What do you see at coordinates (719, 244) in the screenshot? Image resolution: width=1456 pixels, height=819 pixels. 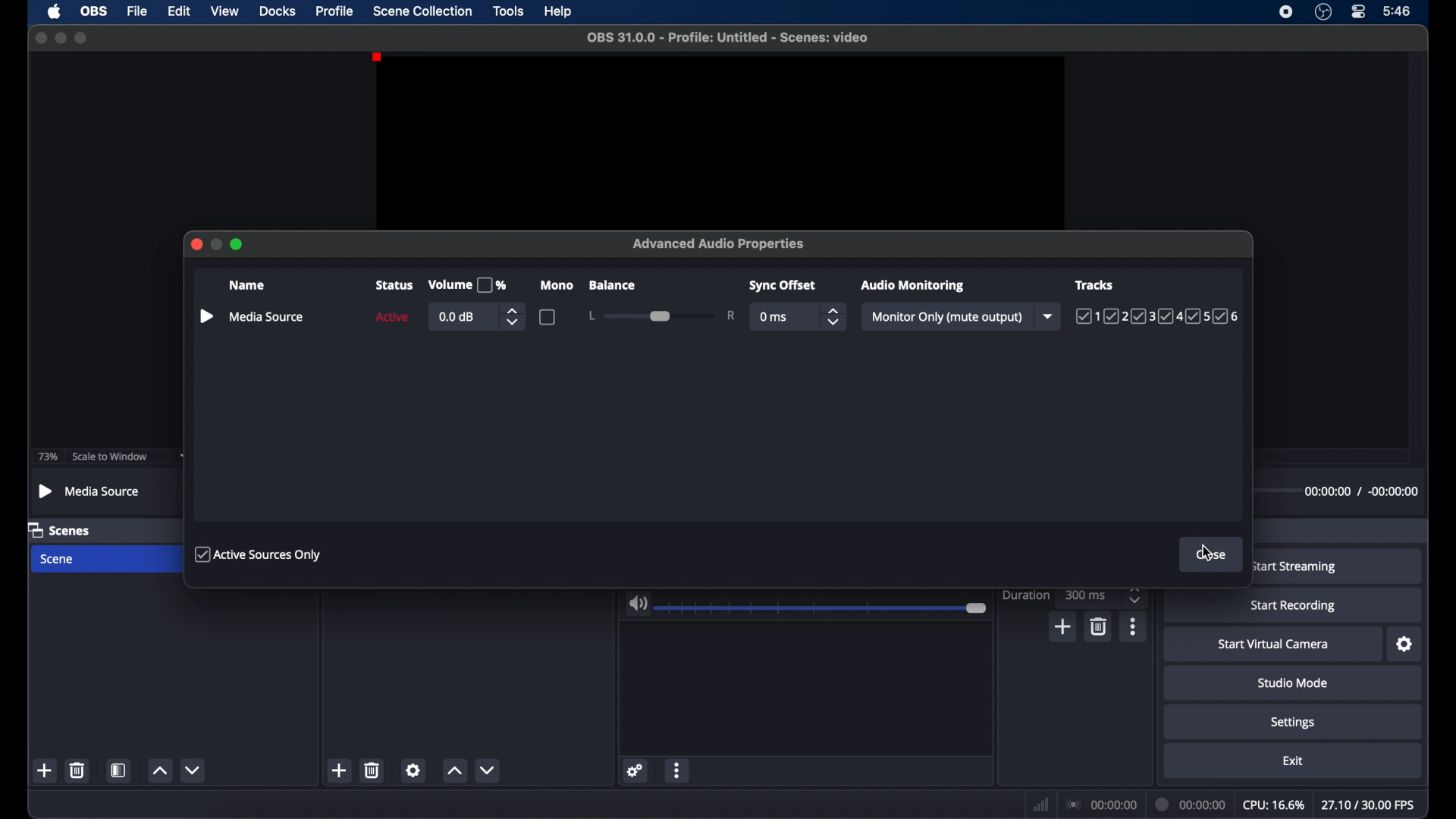 I see `advanced audio properties` at bounding box center [719, 244].